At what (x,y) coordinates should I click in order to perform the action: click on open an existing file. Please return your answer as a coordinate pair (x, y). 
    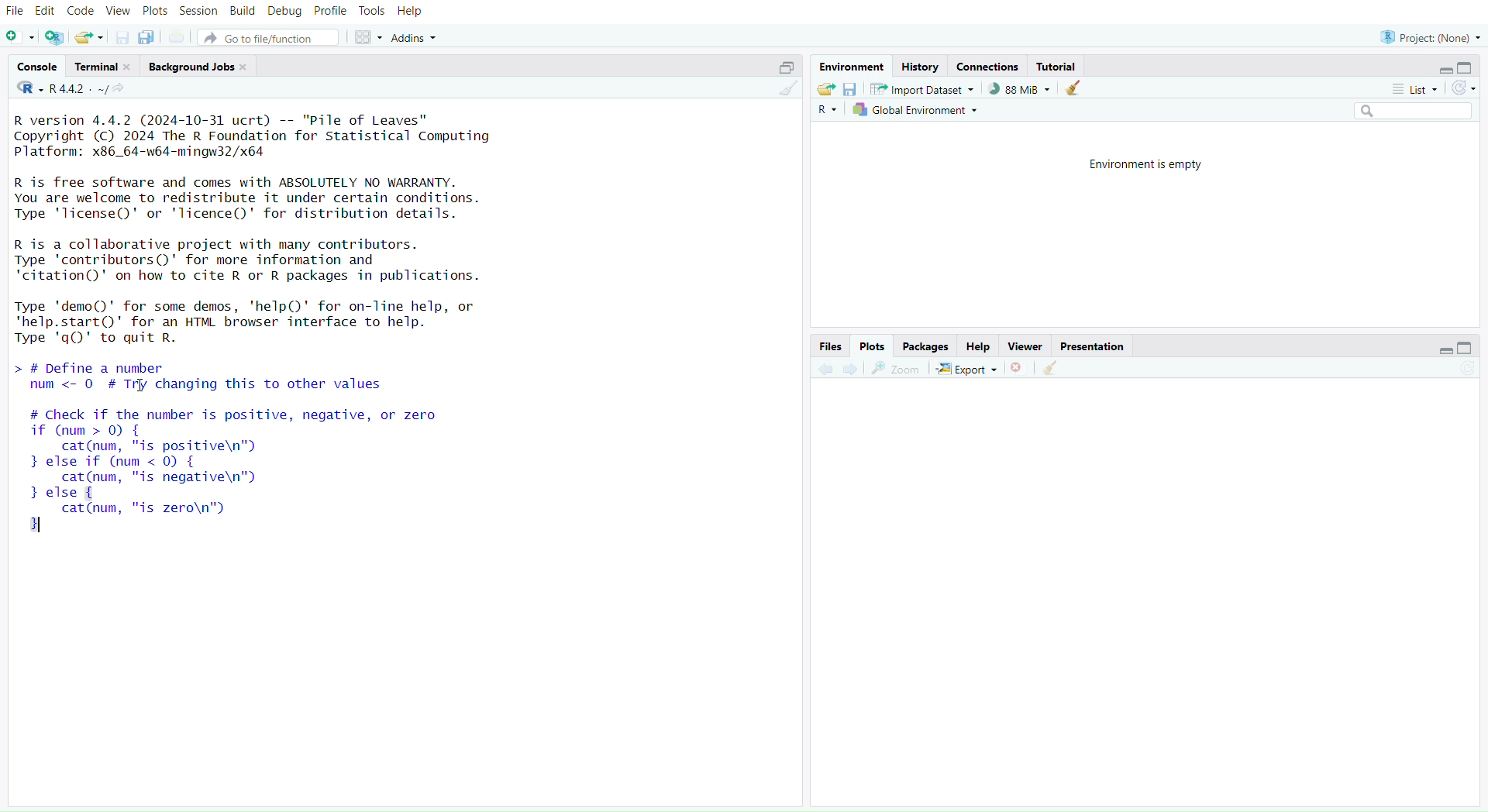
    Looking at the image, I should click on (90, 38).